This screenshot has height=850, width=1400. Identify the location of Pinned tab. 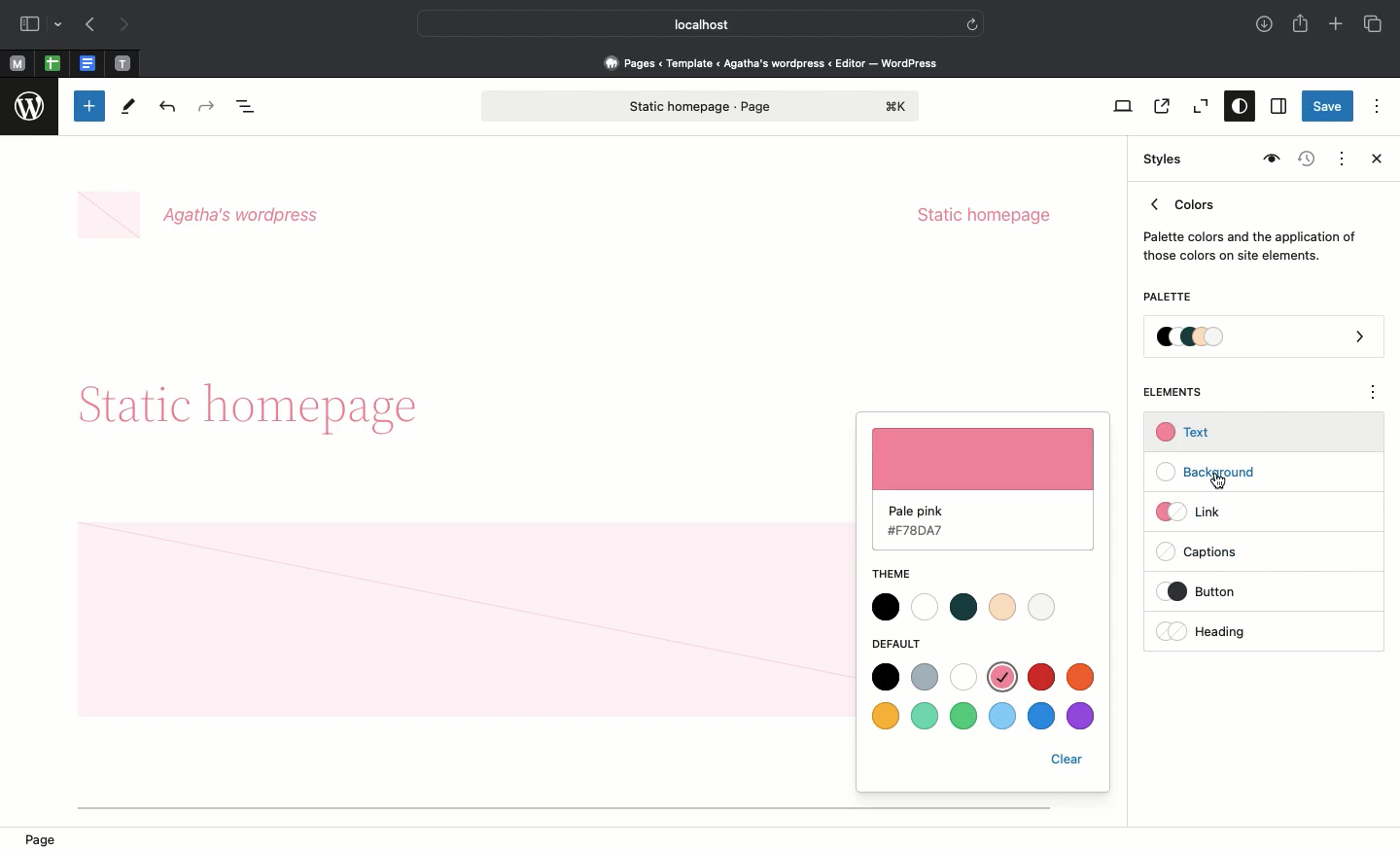
(123, 64).